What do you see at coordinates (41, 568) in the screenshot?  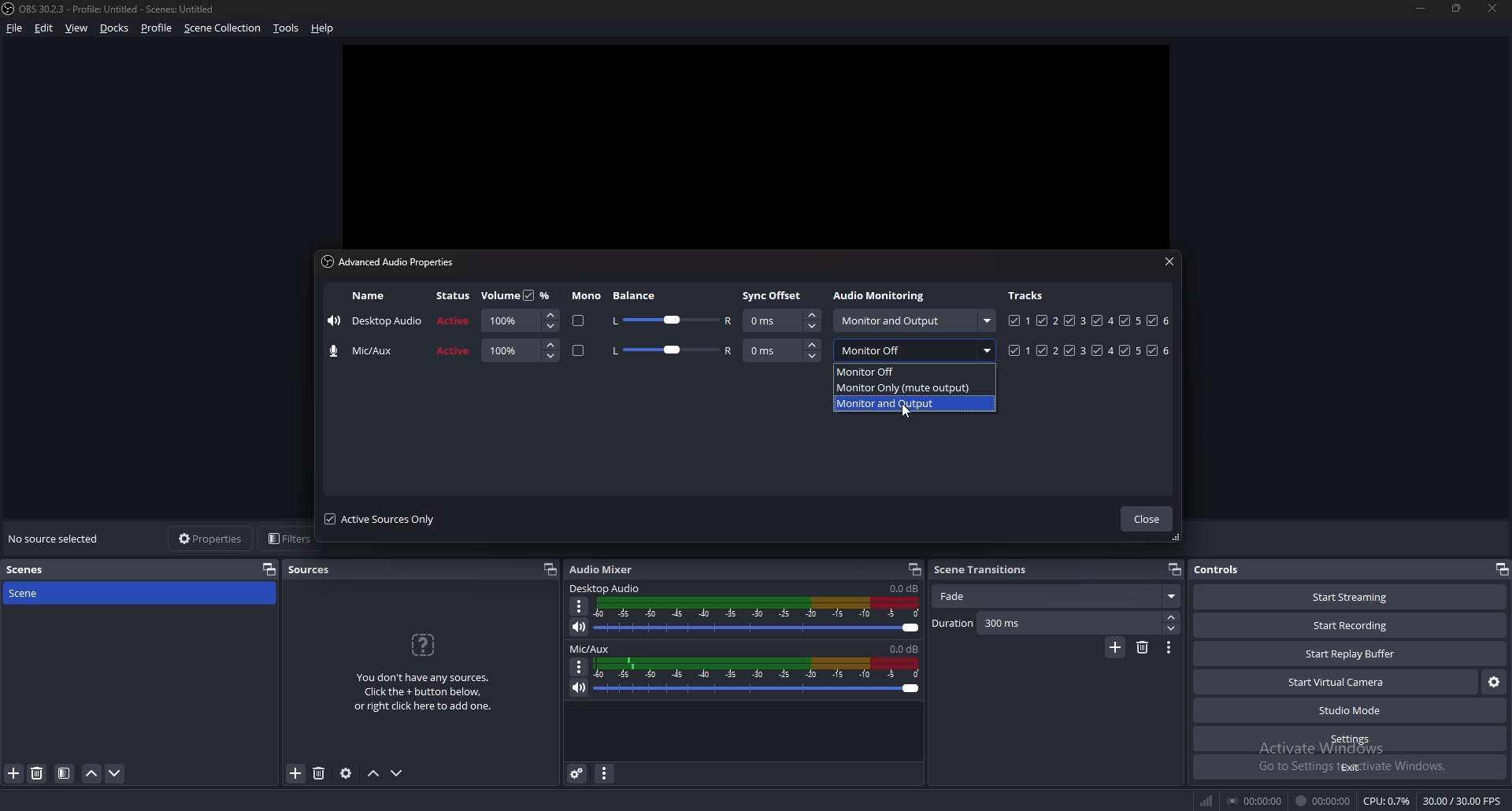 I see `scenes` at bounding box center [41, 568].